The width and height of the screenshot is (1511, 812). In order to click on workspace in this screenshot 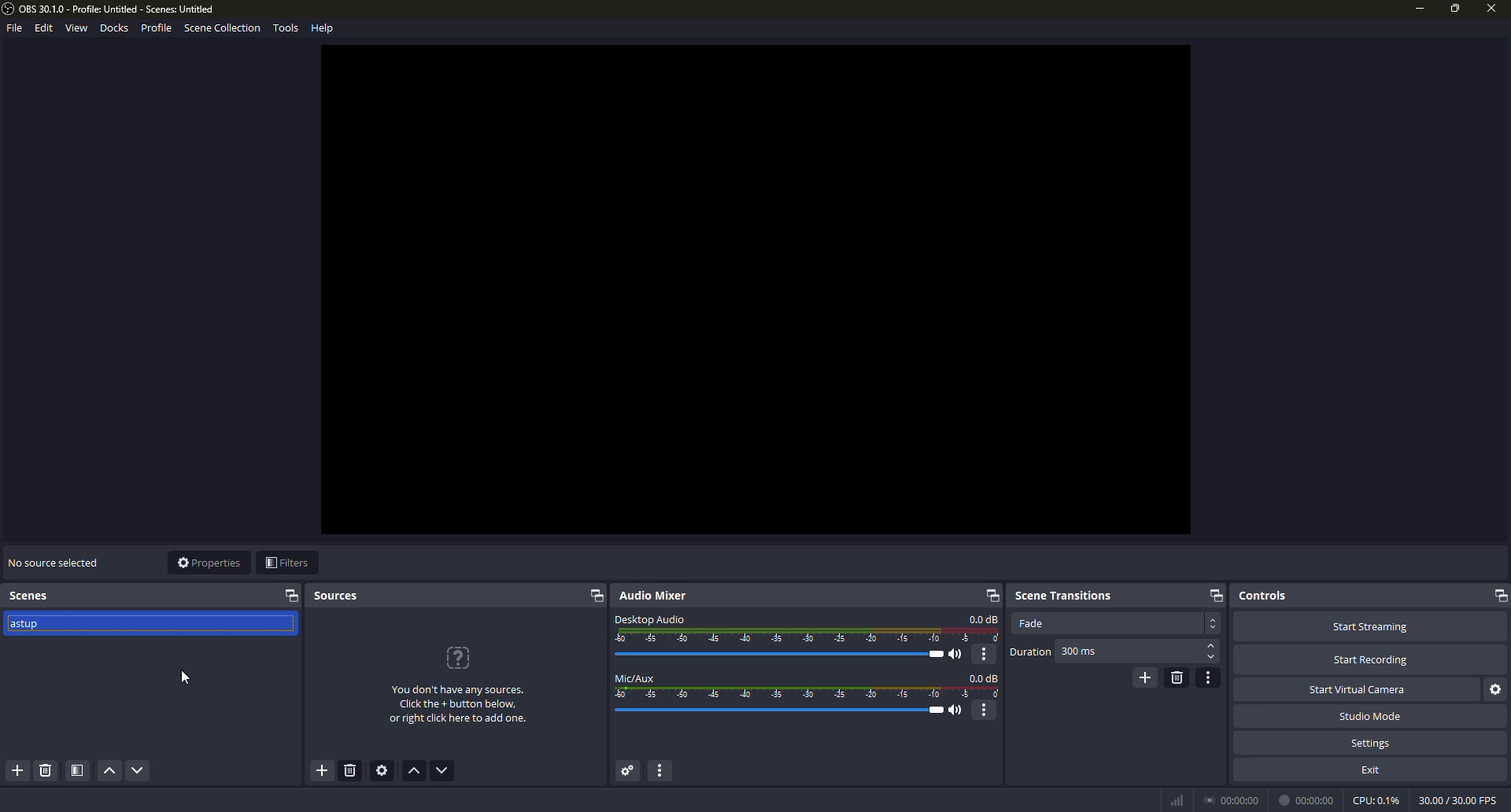, I will do `click(756, 290)`.